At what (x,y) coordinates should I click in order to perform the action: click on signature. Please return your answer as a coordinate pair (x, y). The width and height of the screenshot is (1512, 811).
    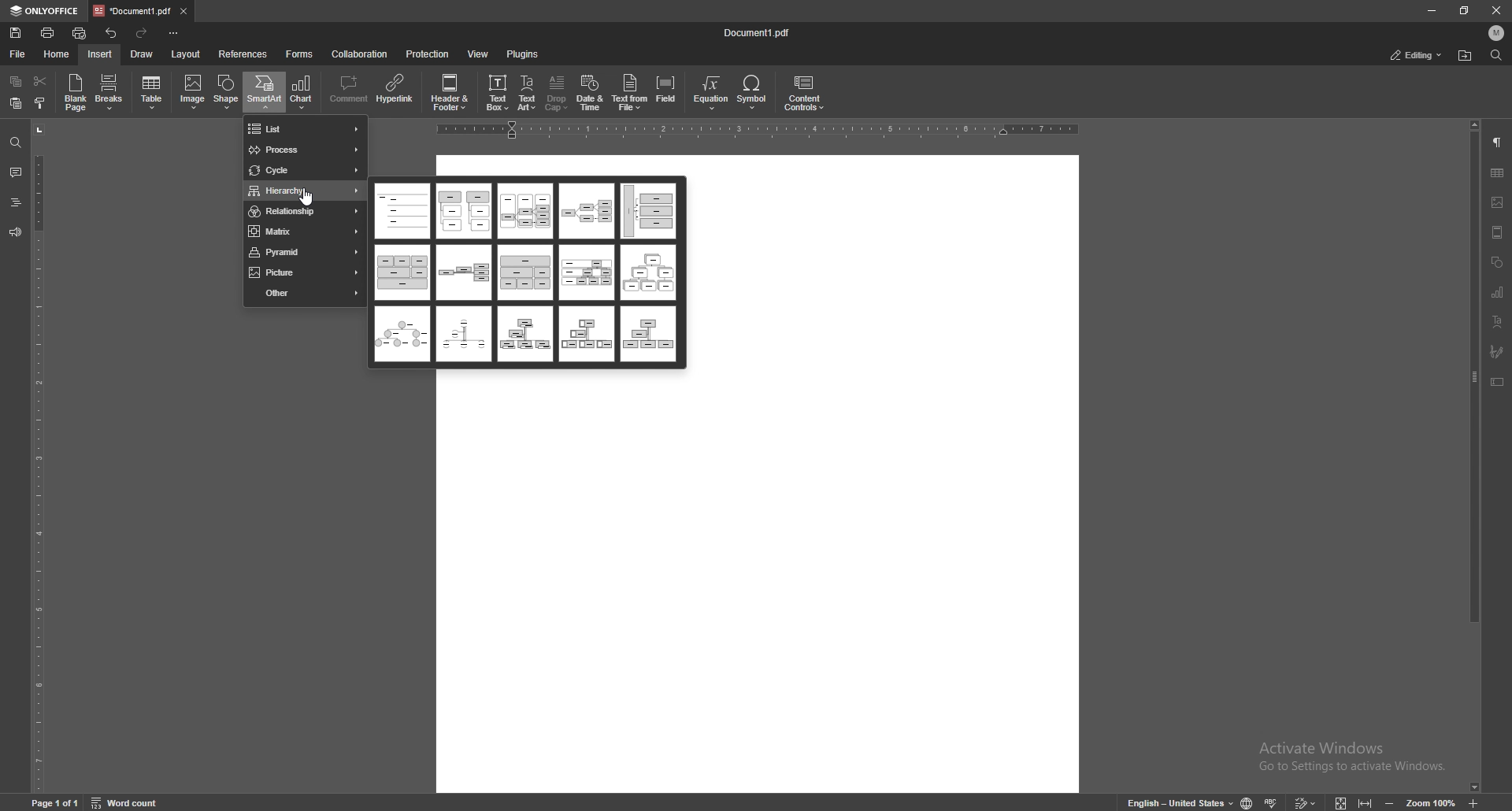
    Looking at the image, I should click on (1497, 351).